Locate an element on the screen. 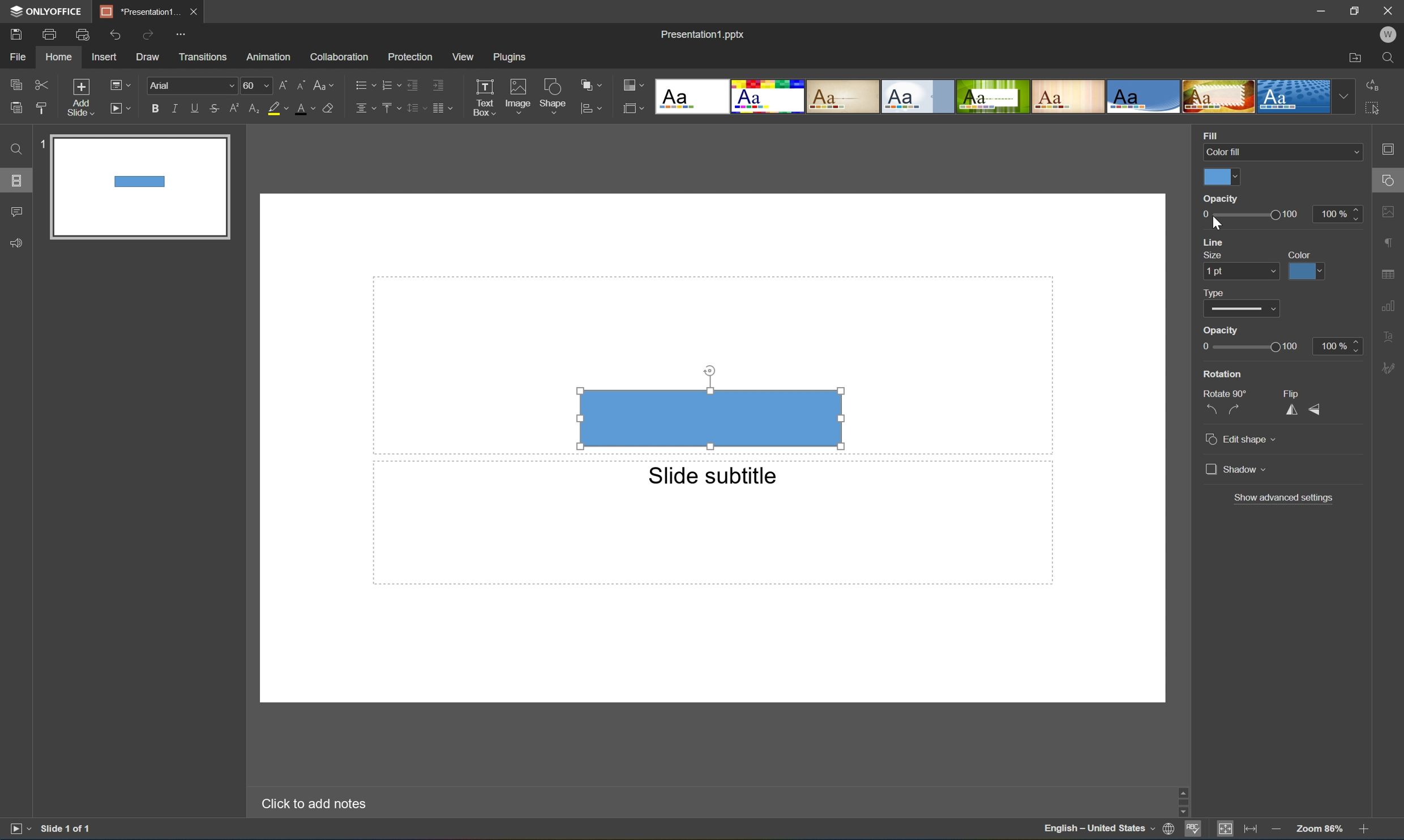 The image size is (1404, 840). Plugins is located at coordinates (508, 57).